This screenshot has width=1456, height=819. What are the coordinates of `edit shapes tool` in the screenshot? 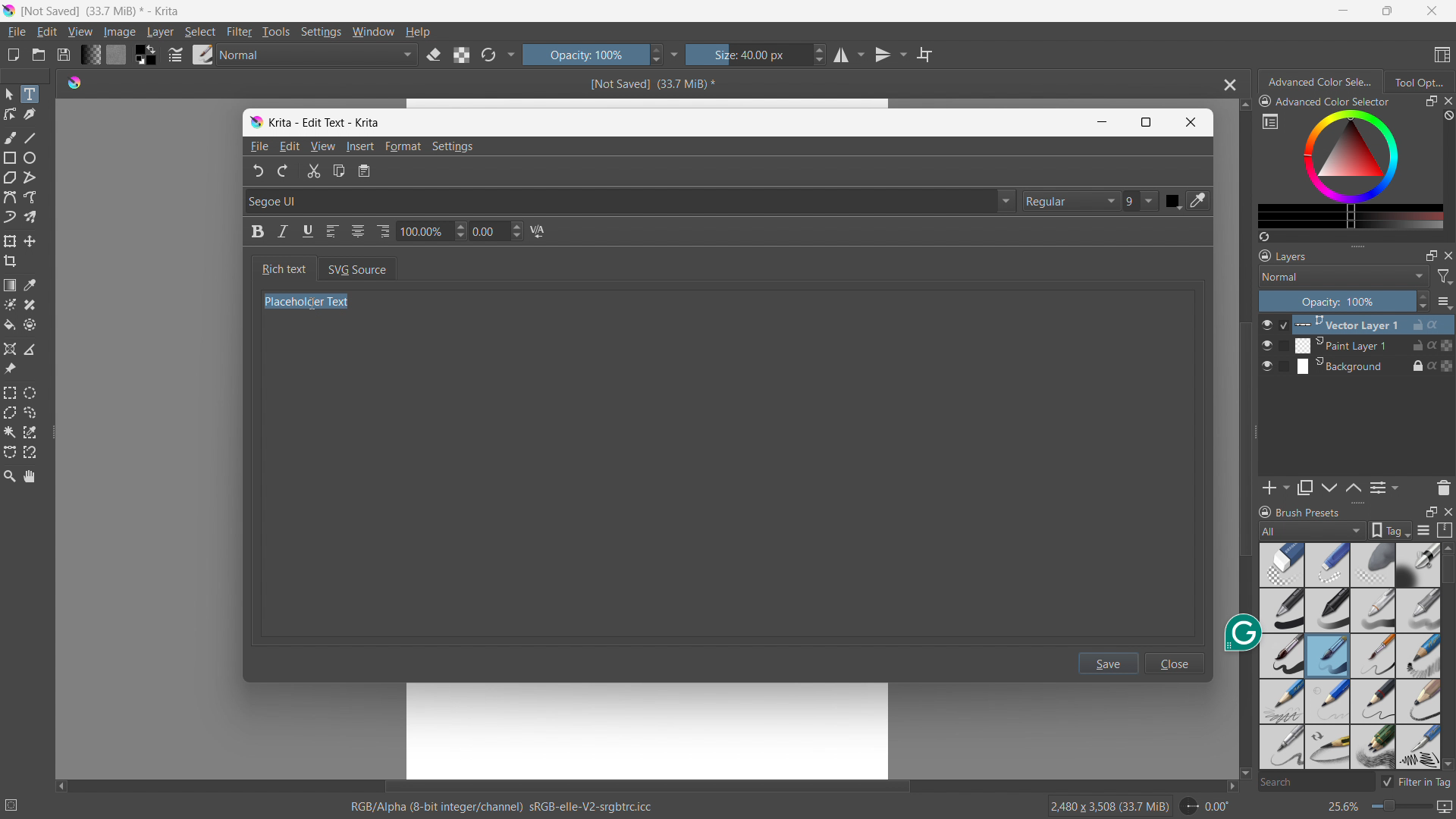 It's located at (11, 114).